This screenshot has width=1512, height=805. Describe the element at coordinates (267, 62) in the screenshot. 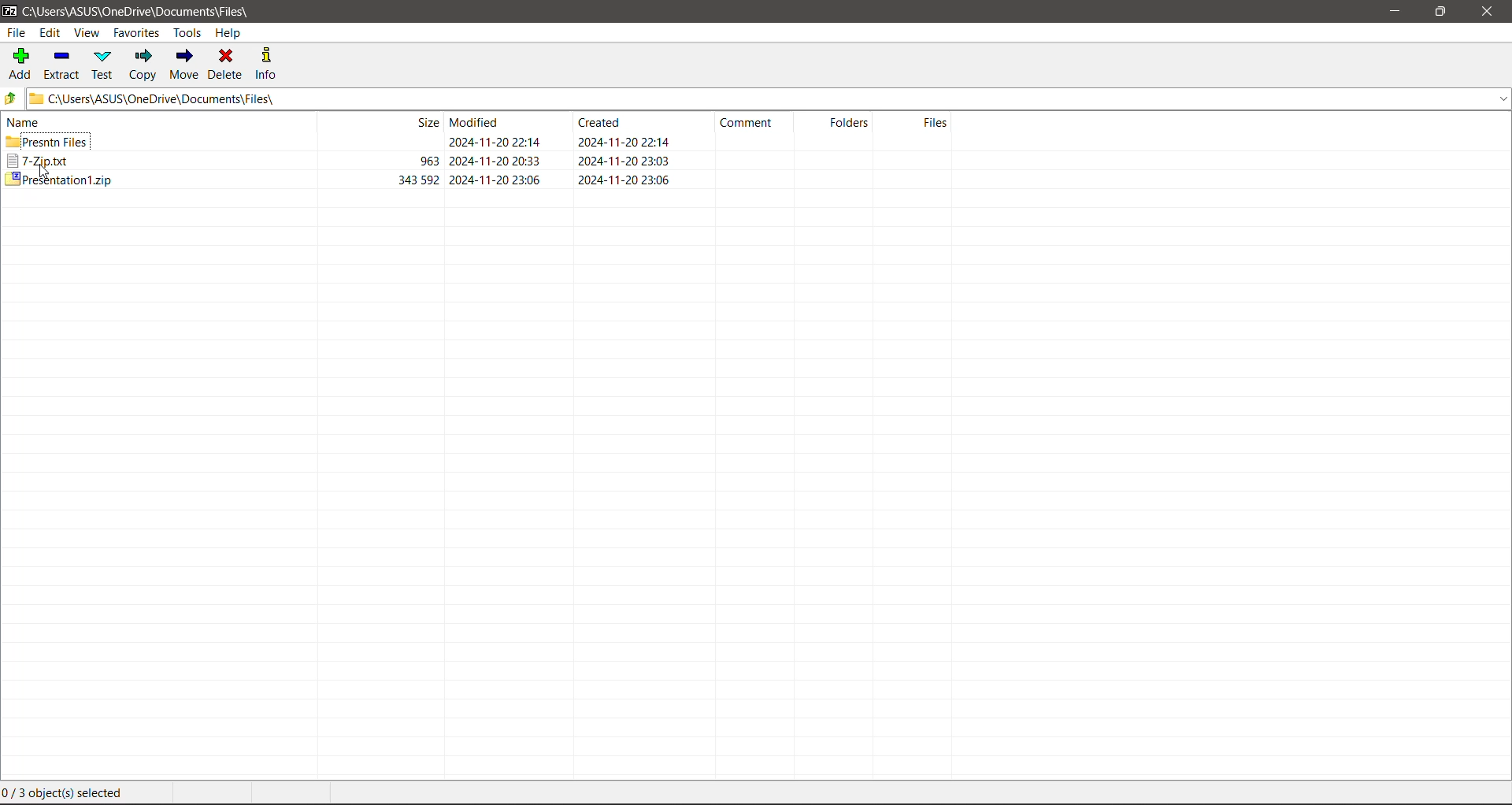

I see `Info` at that location.